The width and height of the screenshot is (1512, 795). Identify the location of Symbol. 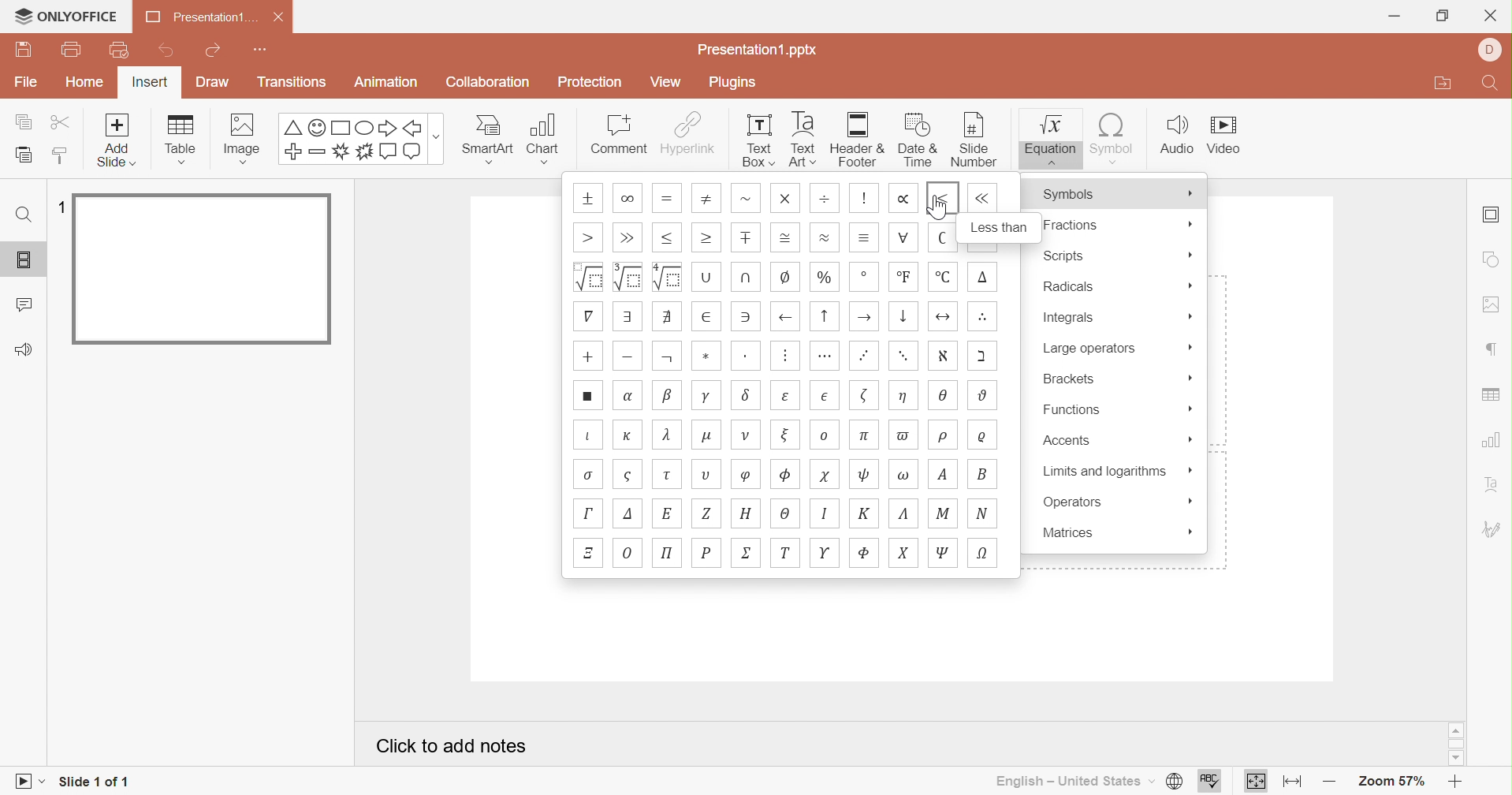
(1114, 138).